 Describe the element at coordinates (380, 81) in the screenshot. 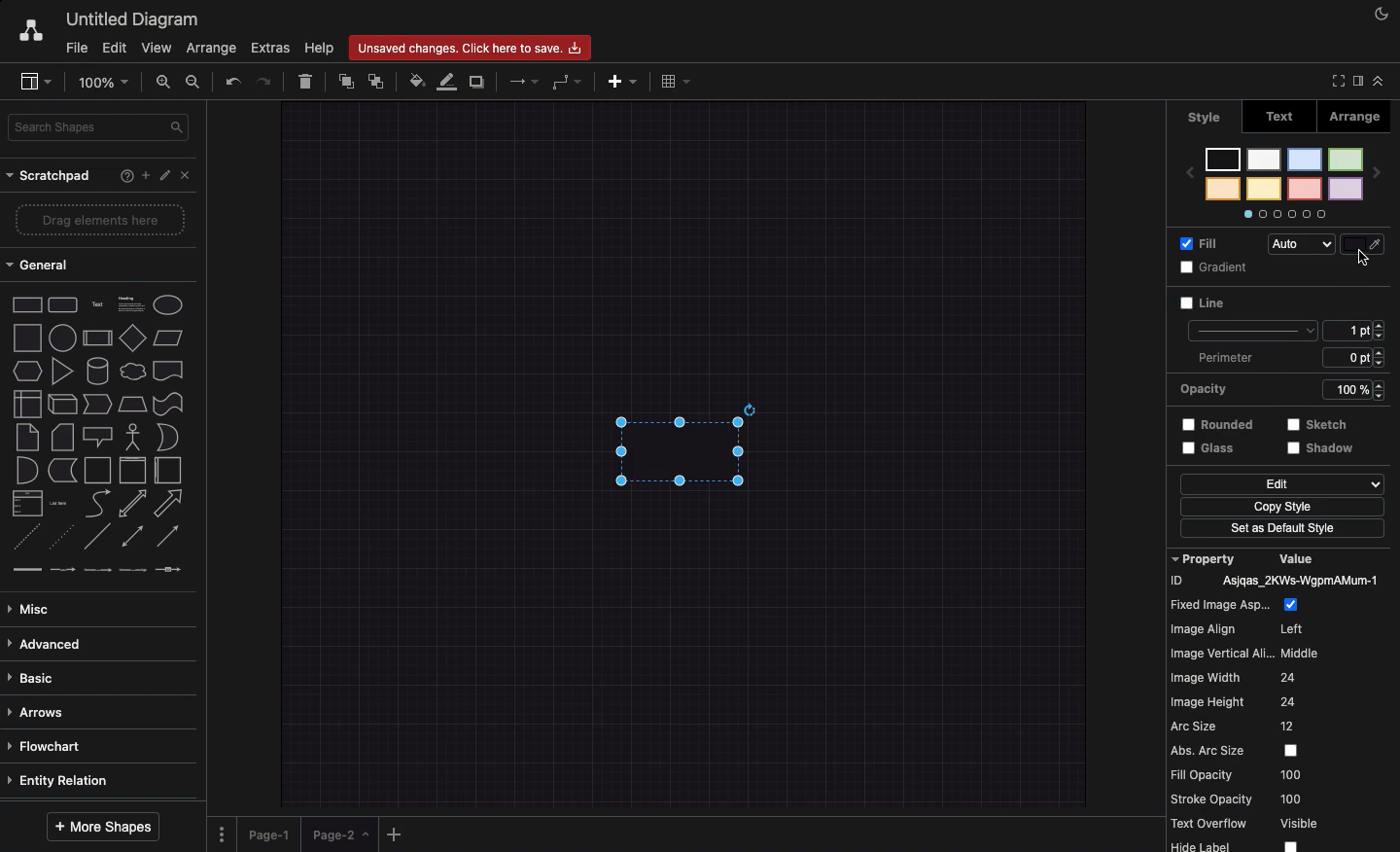

I see `To back` at that location.